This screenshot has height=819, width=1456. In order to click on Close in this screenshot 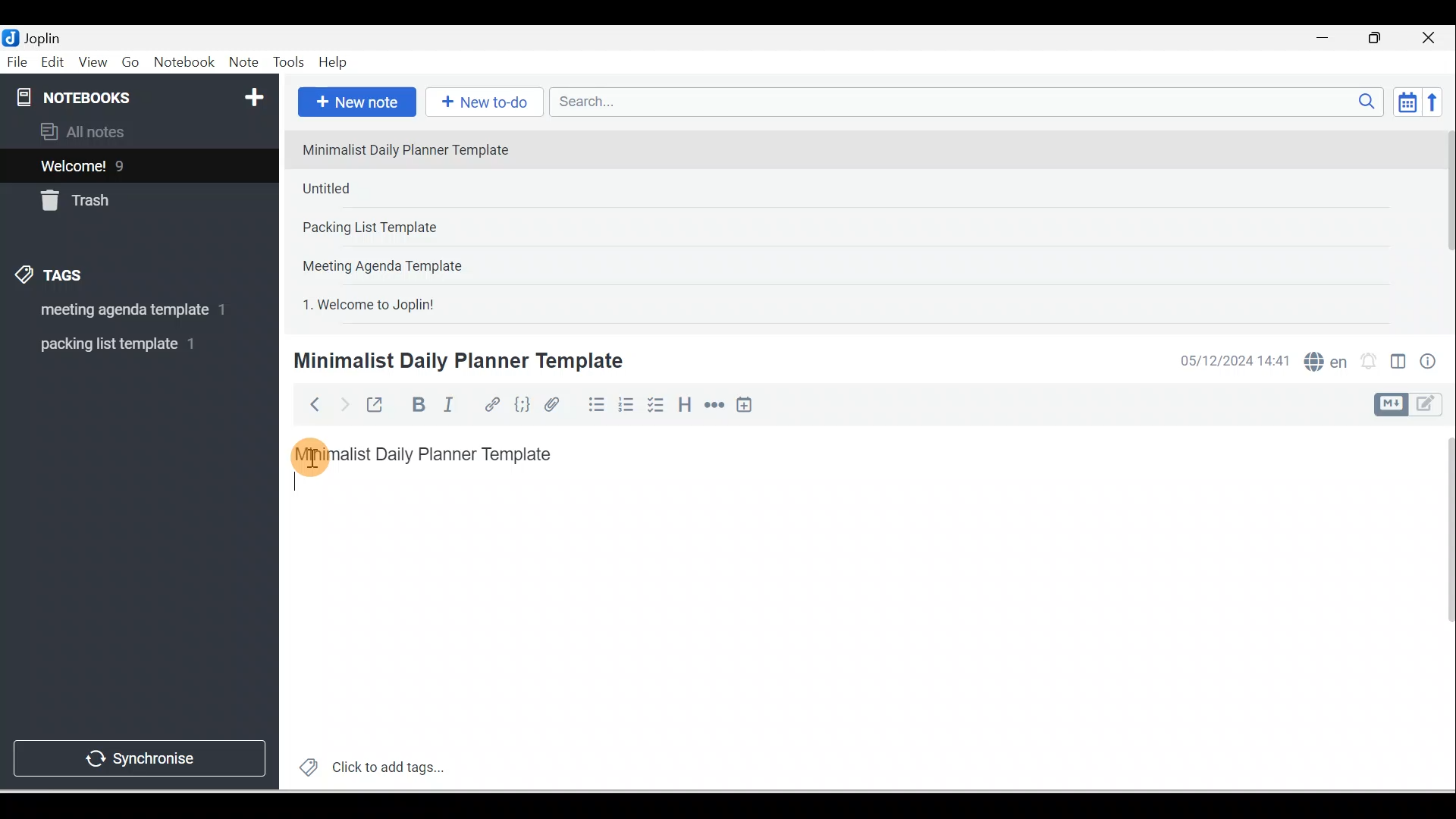, I will do `click(1432, 38)`.